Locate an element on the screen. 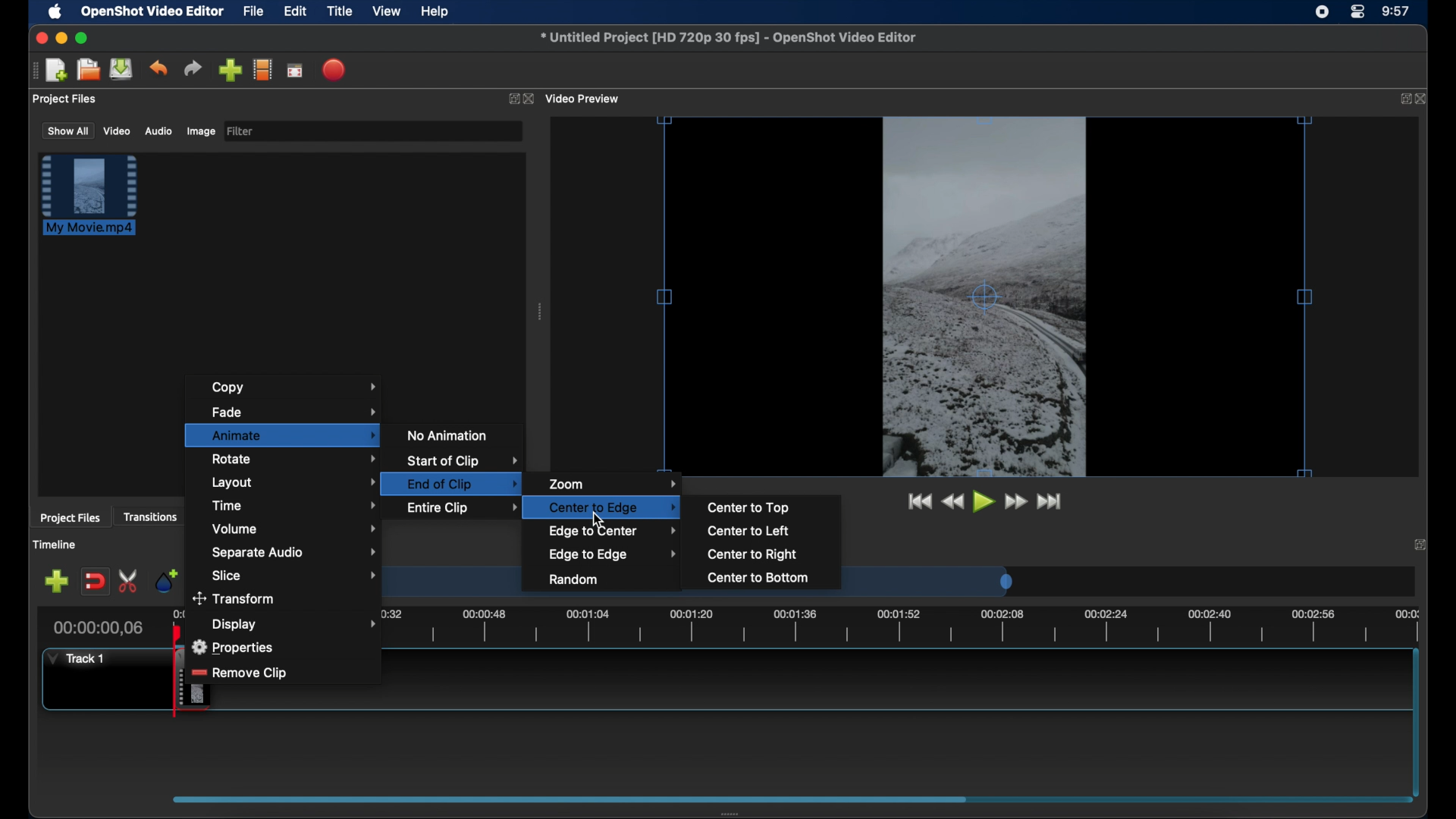 The width and height of the screenshot is (1456, 819). scroll box is located at coordinates (564, 799).